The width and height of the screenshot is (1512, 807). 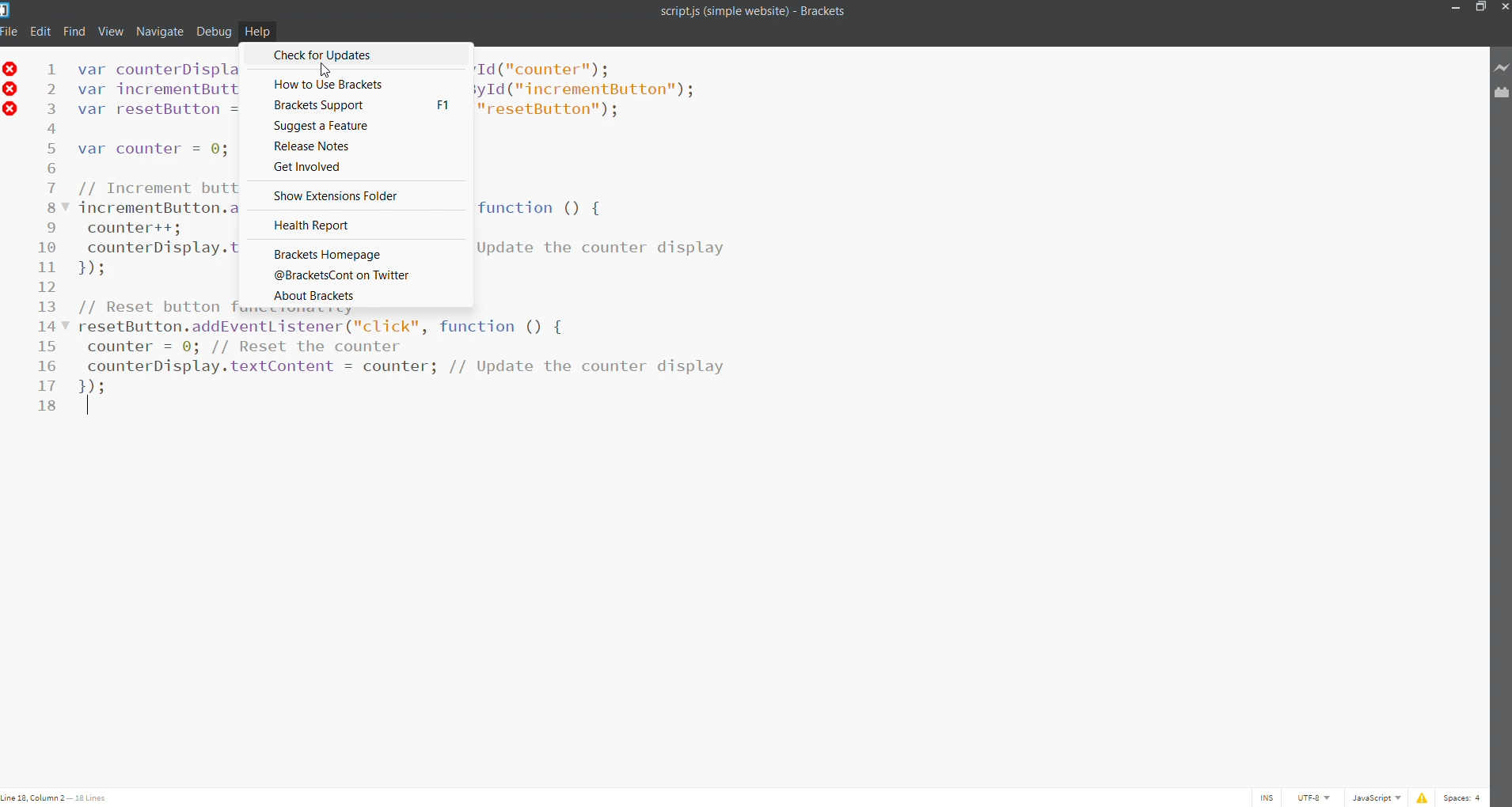 I want to click on var countervisplay = document.getclementbyld{ counter),var incrementButton = document.getElementById("incrementButton");var resetButton = document.getElementById("resetButton");var counter = 0; // Initialize counter// Increment button functionalityincrementButton.addEventListener("click", function () {counter++;counterDisplay.textContent = counter; // Update the counter displ19H// Reset button functionalityresetButton.addEventListener("click", function () {counter = 0; // Reset the countercounterDisplay.textContent = counter; // Update the counter display, so click(x=160, y=235).